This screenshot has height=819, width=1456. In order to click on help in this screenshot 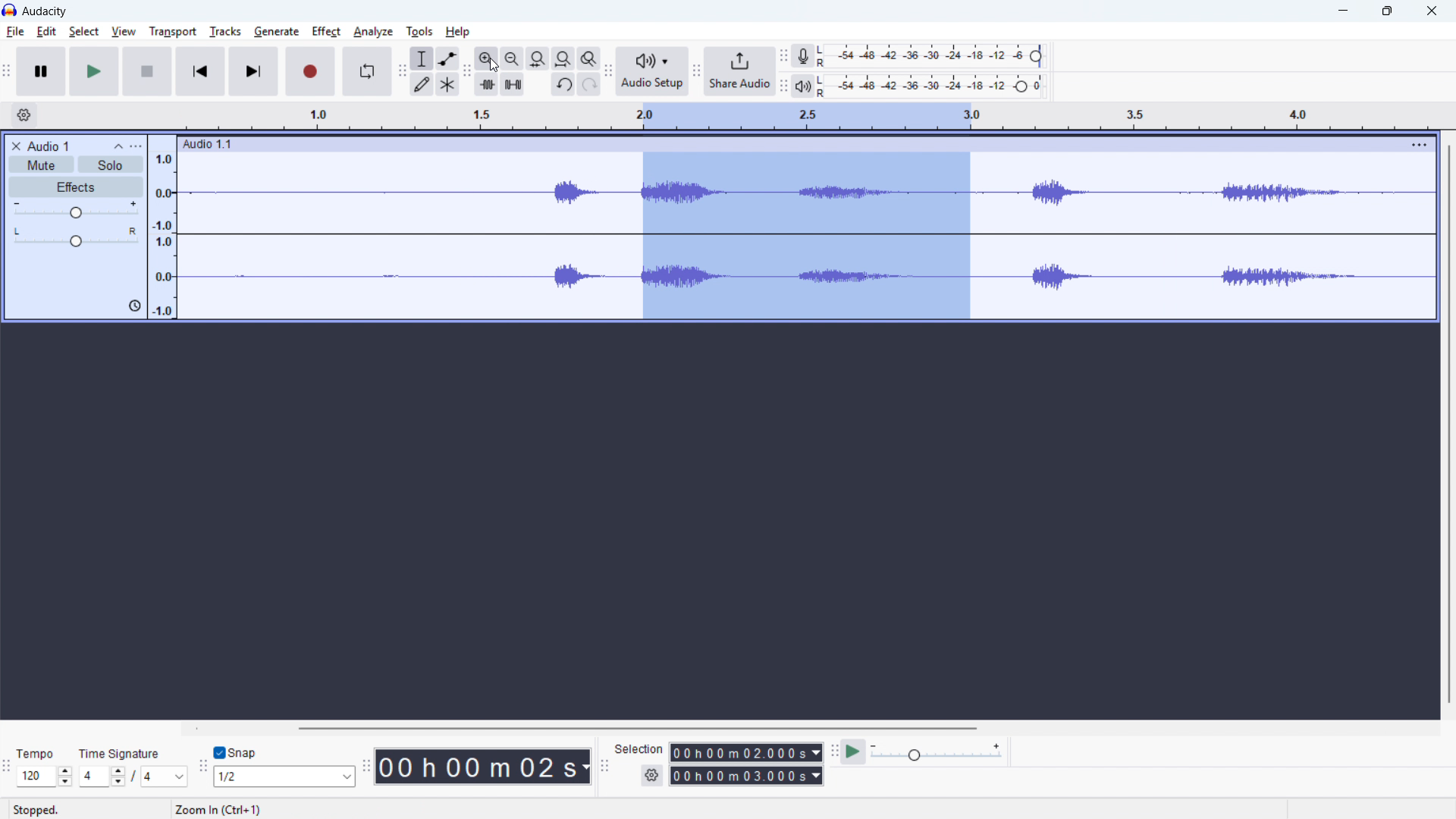, I will do `click(457, 31)`.